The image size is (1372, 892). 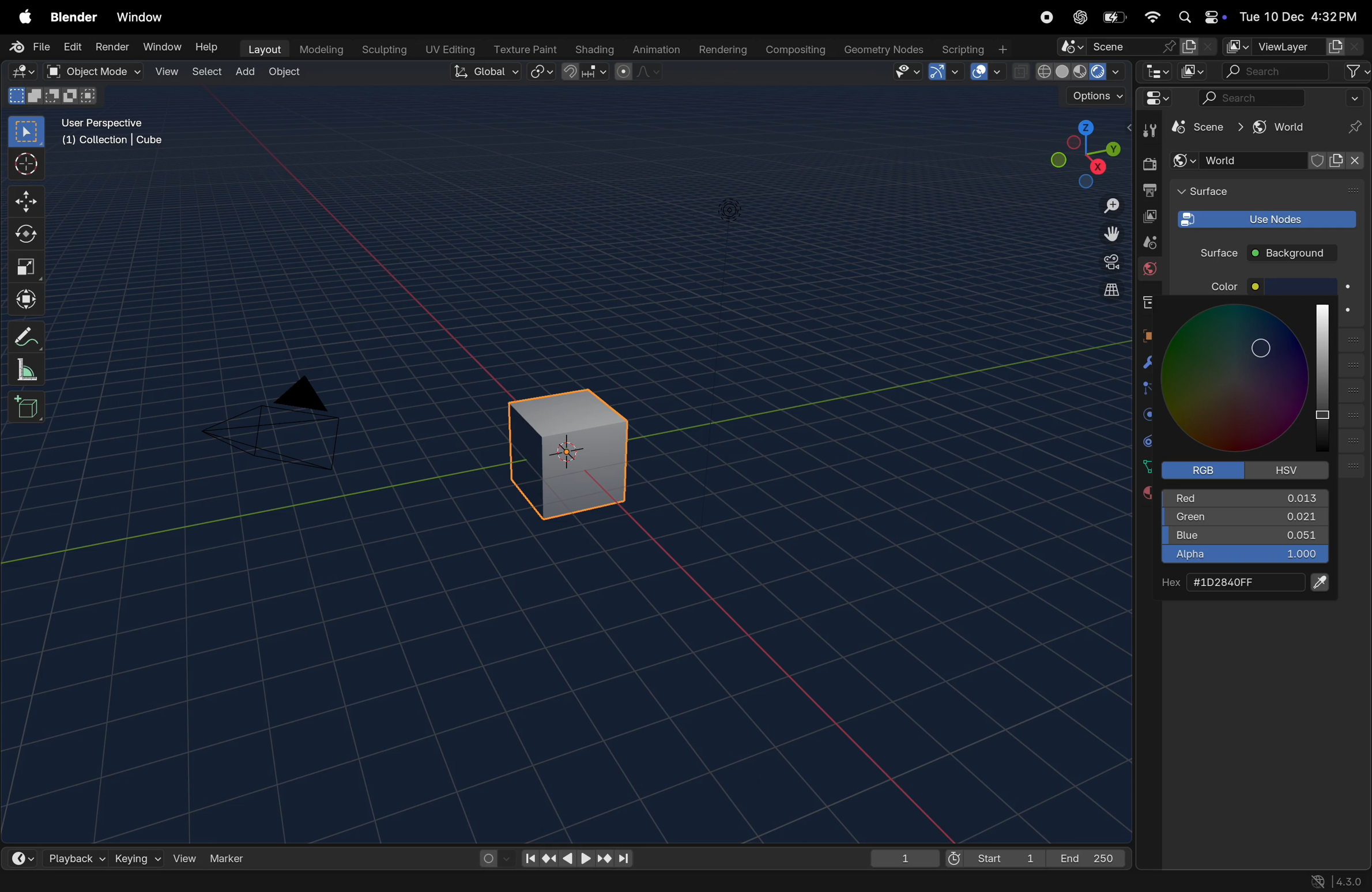 I want to click on wifi, so click(x=1152, y=17).